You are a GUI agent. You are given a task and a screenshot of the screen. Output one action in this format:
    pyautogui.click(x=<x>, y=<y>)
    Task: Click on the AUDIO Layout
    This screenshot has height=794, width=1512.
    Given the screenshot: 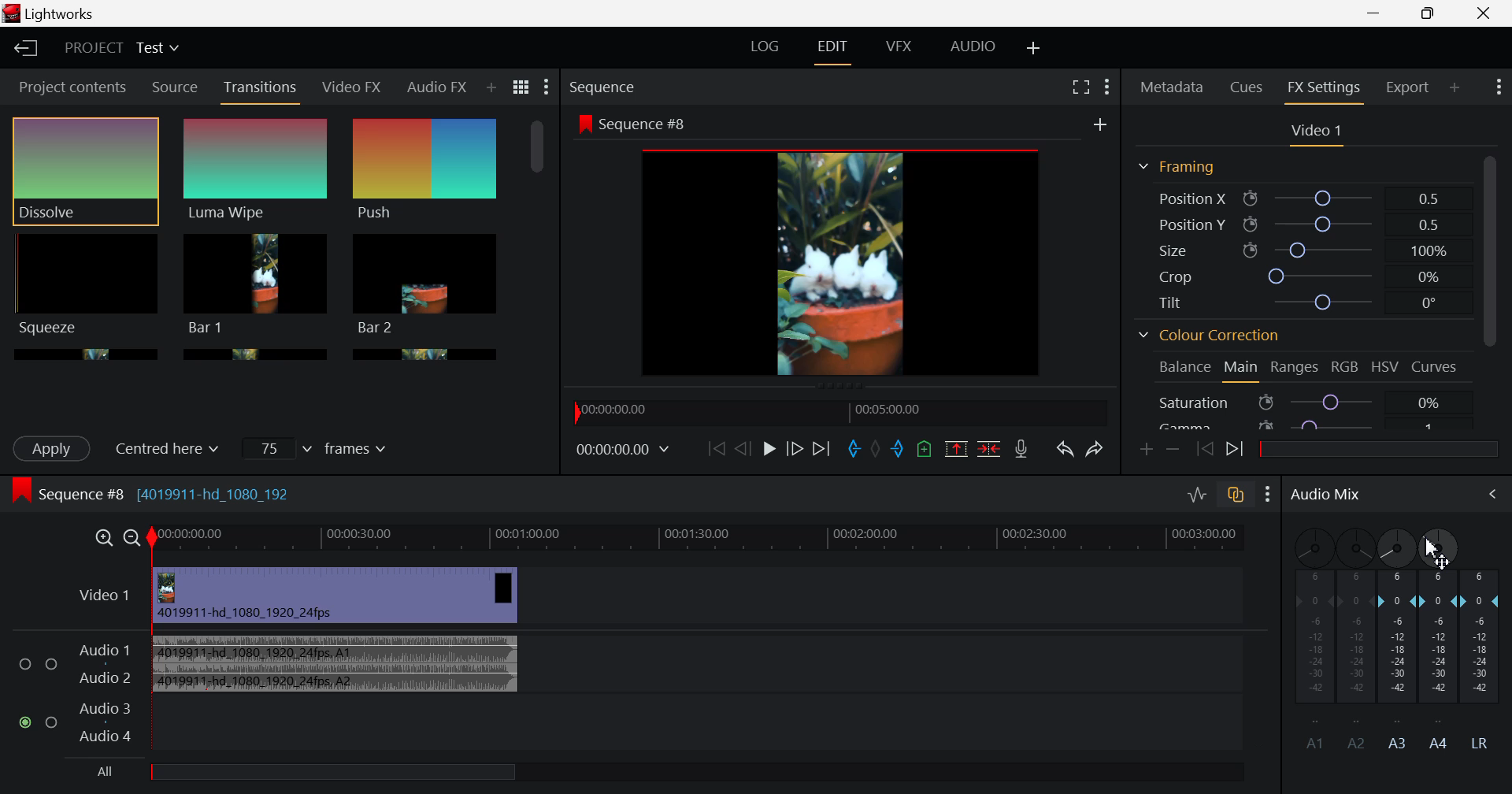 What is the action you would take?
    pyautogui.click(x=976, y=49)
    